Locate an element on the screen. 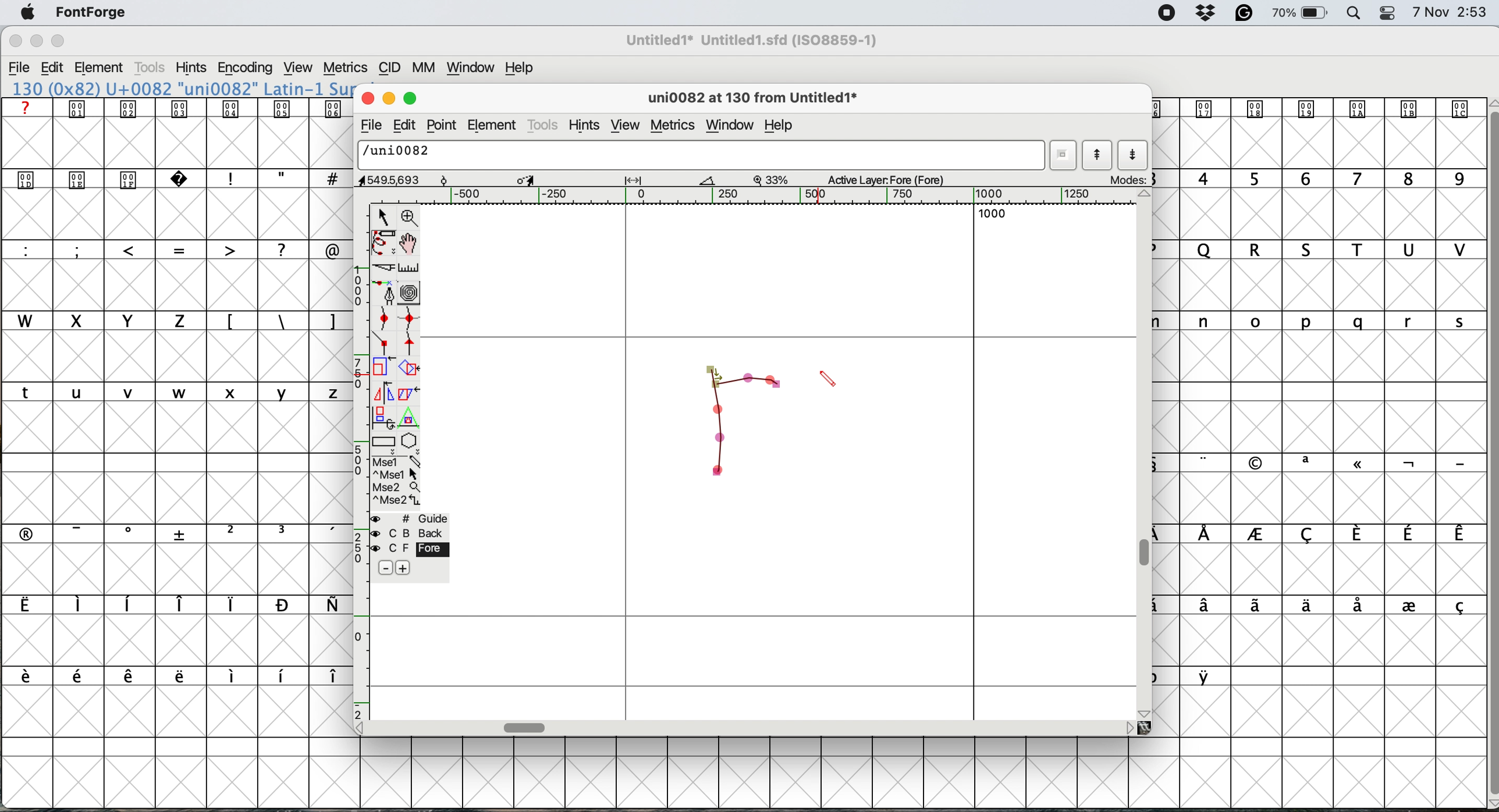 The width and height of the screenshot is (1499, 812). battery is located at coordinates (1302, 13).